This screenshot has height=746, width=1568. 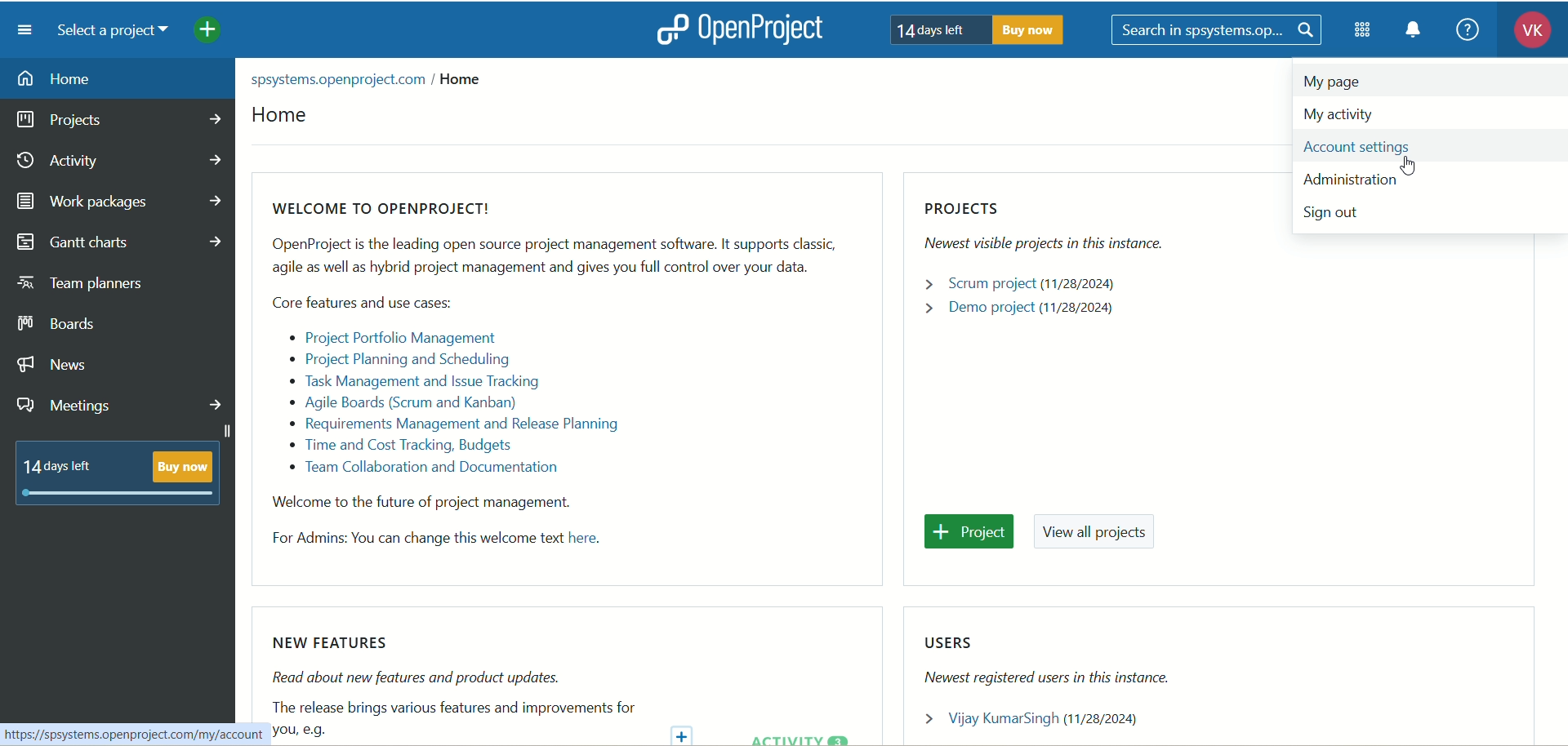 What do you see at coordinates (1351, 176) in the screenshot?
I see `administration` at bounding box center [1351, 176].